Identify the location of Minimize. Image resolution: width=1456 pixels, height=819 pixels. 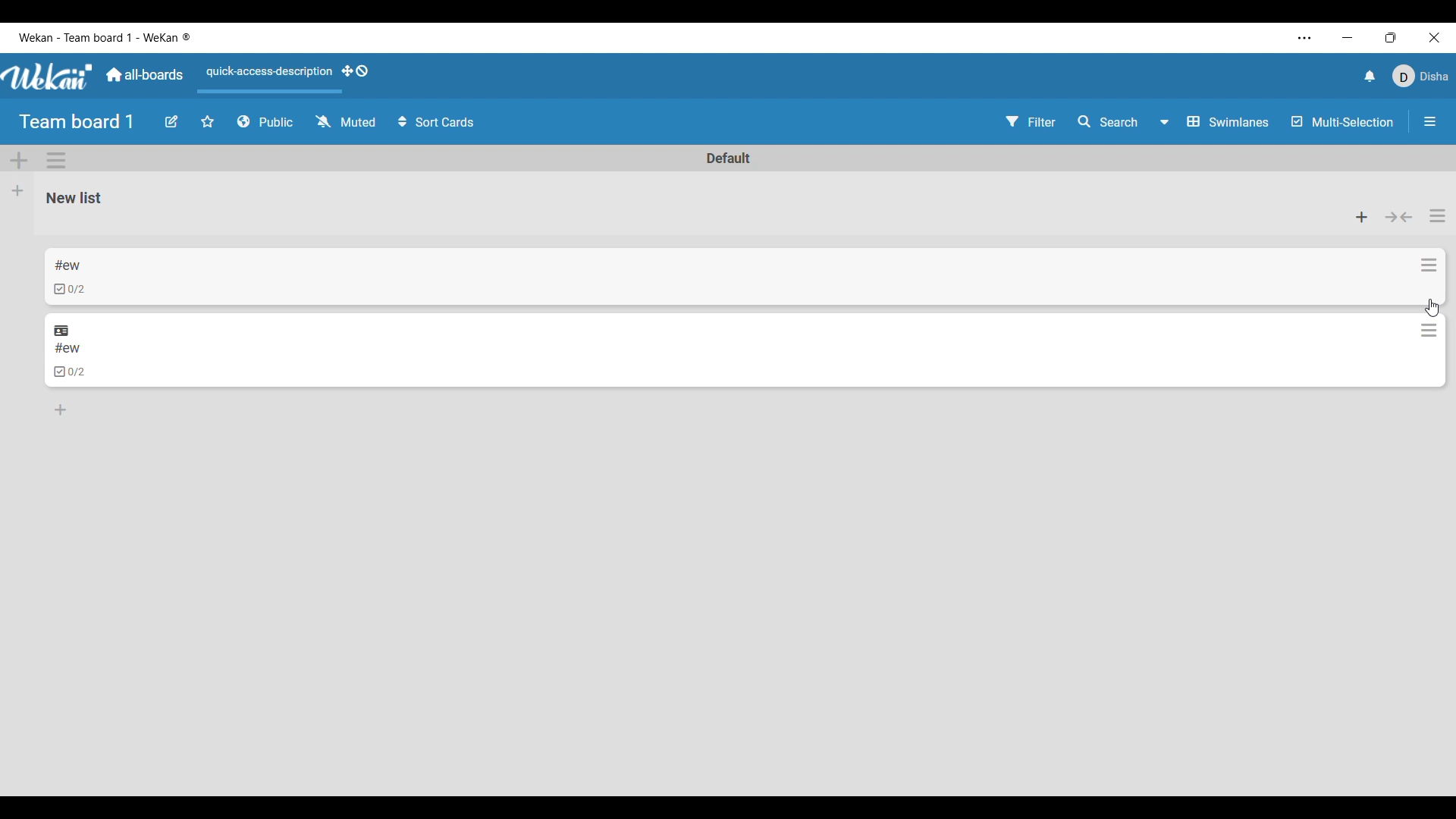
(1348, 37).